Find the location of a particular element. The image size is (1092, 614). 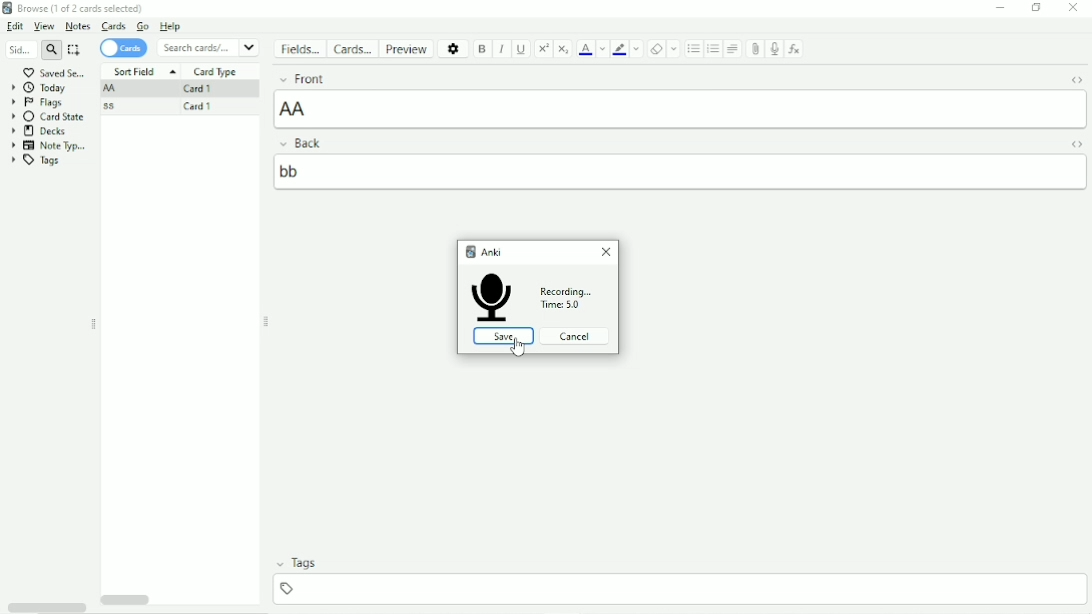

ss is located at coordinates (108, 107).